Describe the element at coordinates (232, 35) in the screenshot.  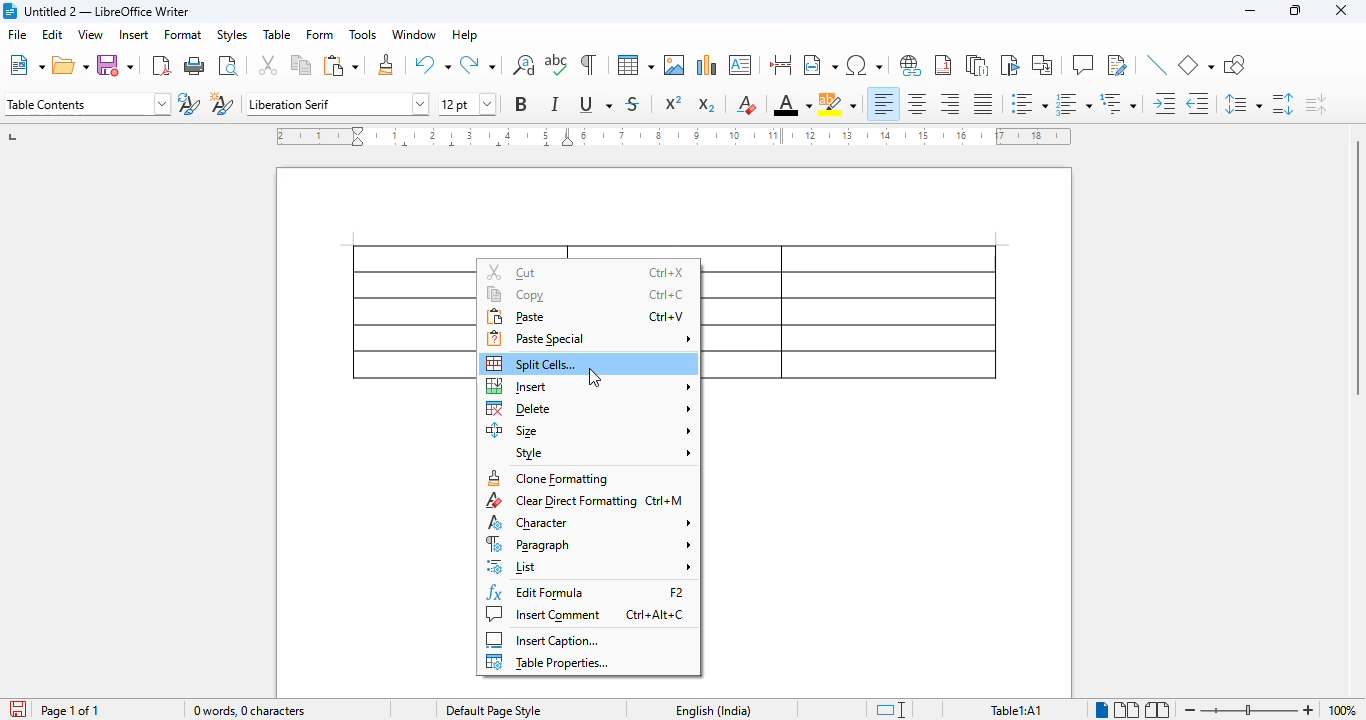
I see `styles` at that location.